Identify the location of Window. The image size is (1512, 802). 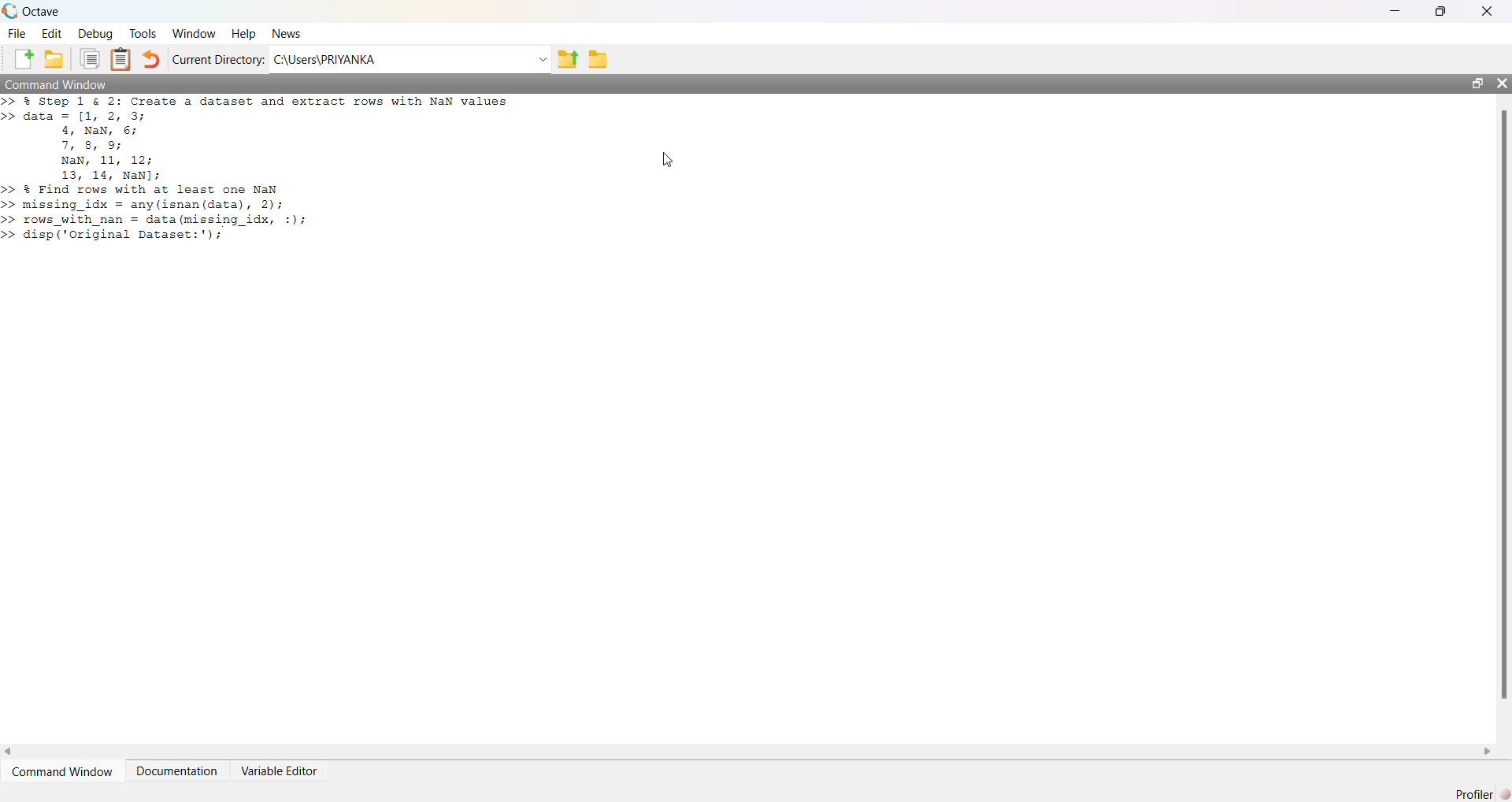
(195, 34).